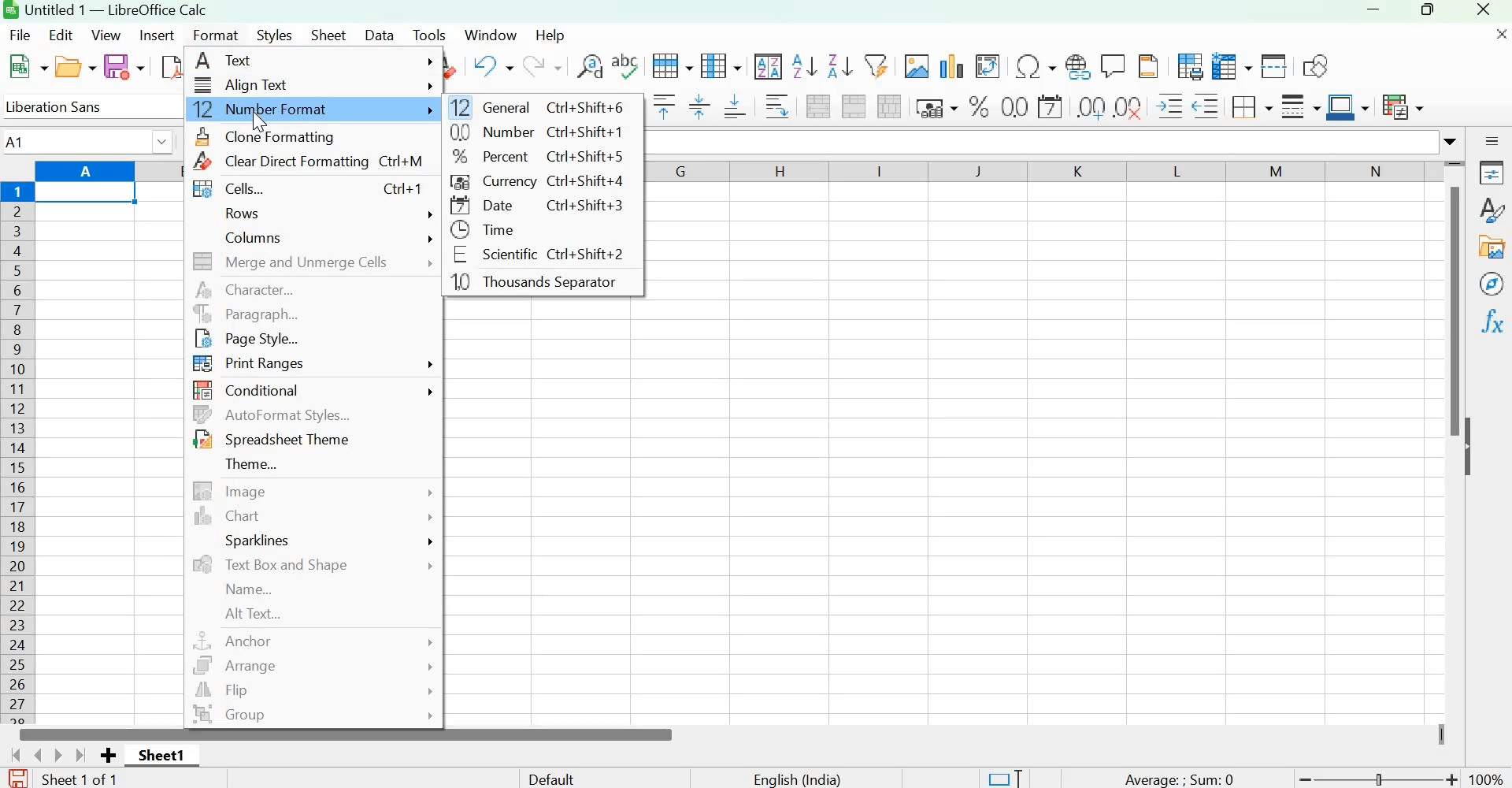  Describe the element at coordinates (987, 64) in the screenshot. I see `Insert or Edit pivot table` at that location.